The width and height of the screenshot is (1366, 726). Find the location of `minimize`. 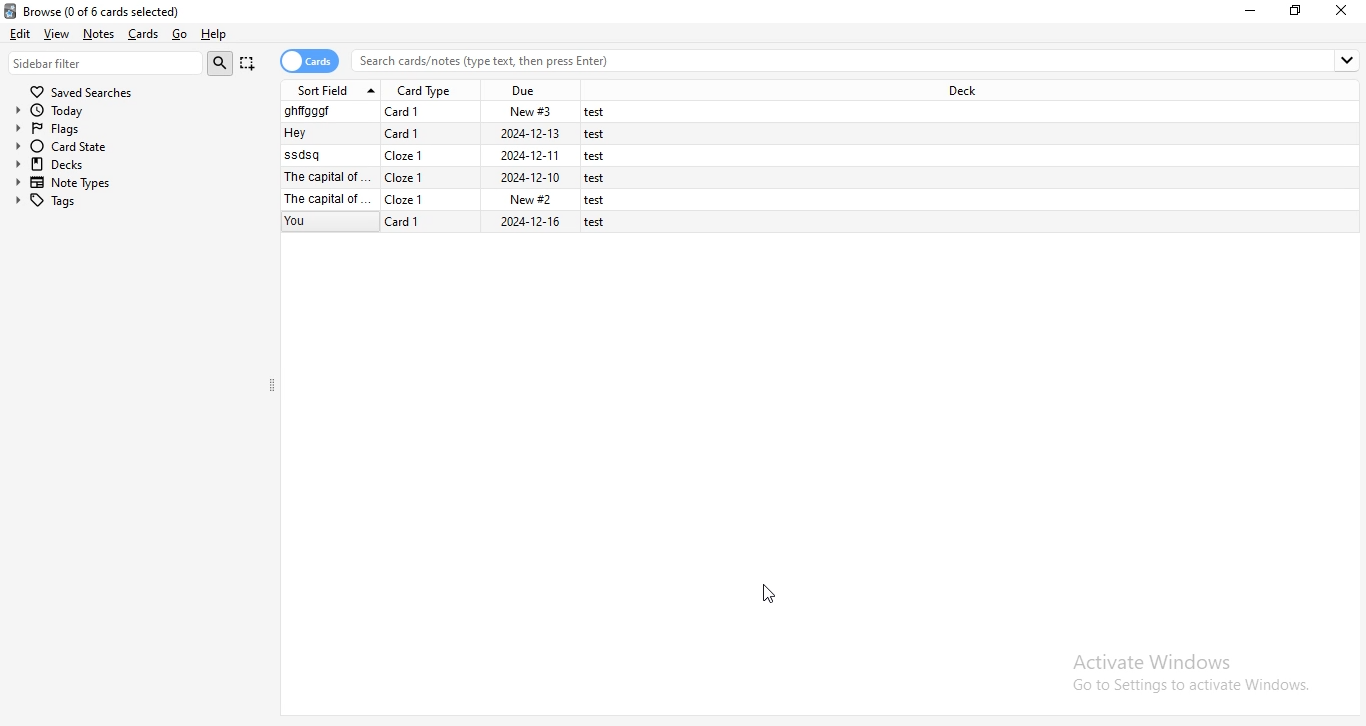

minimize is located at coordinates (1252, 10).